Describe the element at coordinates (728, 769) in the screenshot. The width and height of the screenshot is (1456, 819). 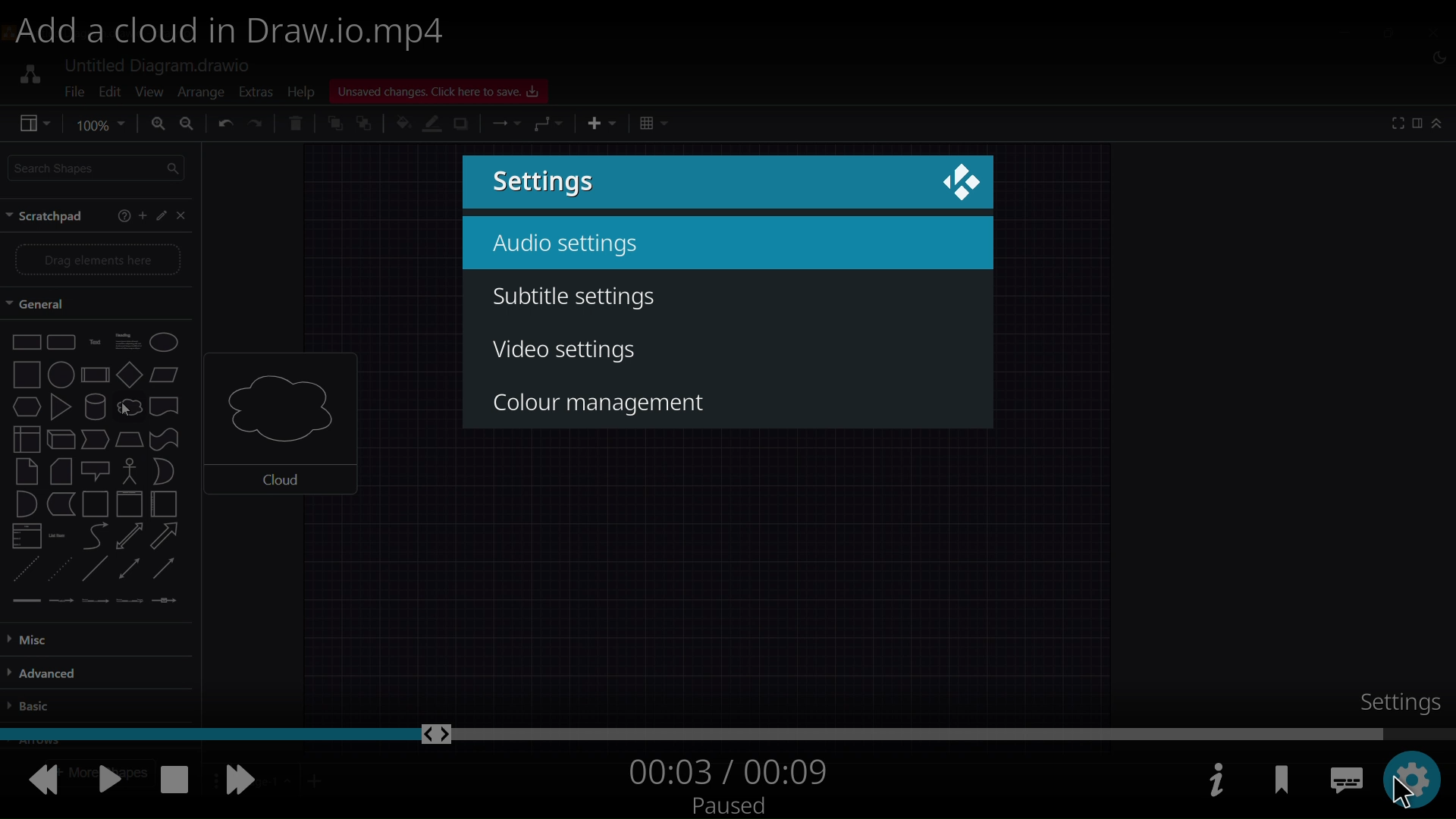
I see `00:03 / 00:09` at that location.